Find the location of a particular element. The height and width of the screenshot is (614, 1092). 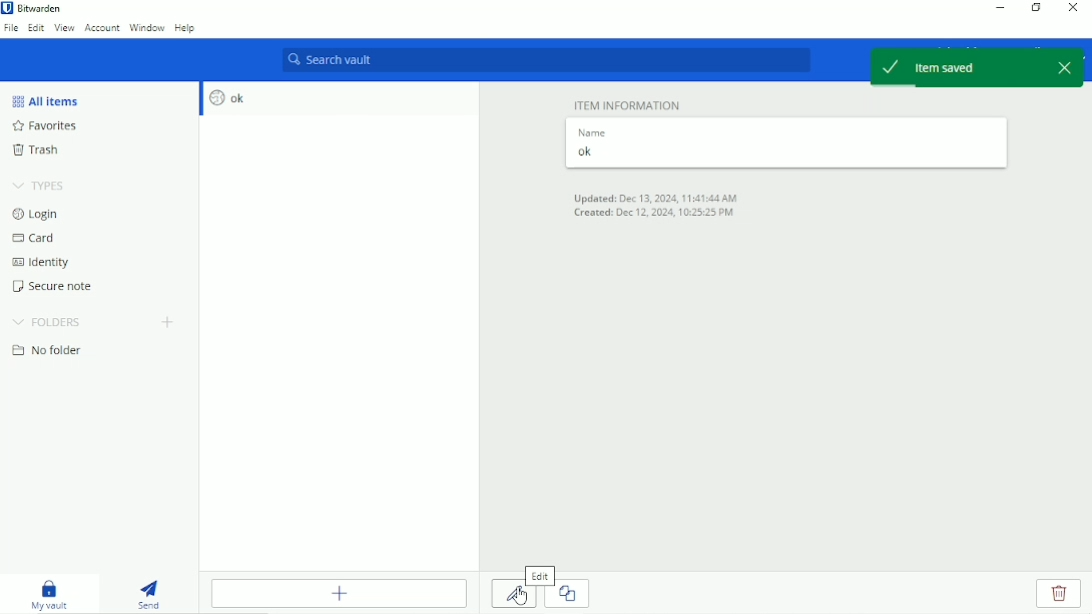

favorites is located at coordinates (46, 127).